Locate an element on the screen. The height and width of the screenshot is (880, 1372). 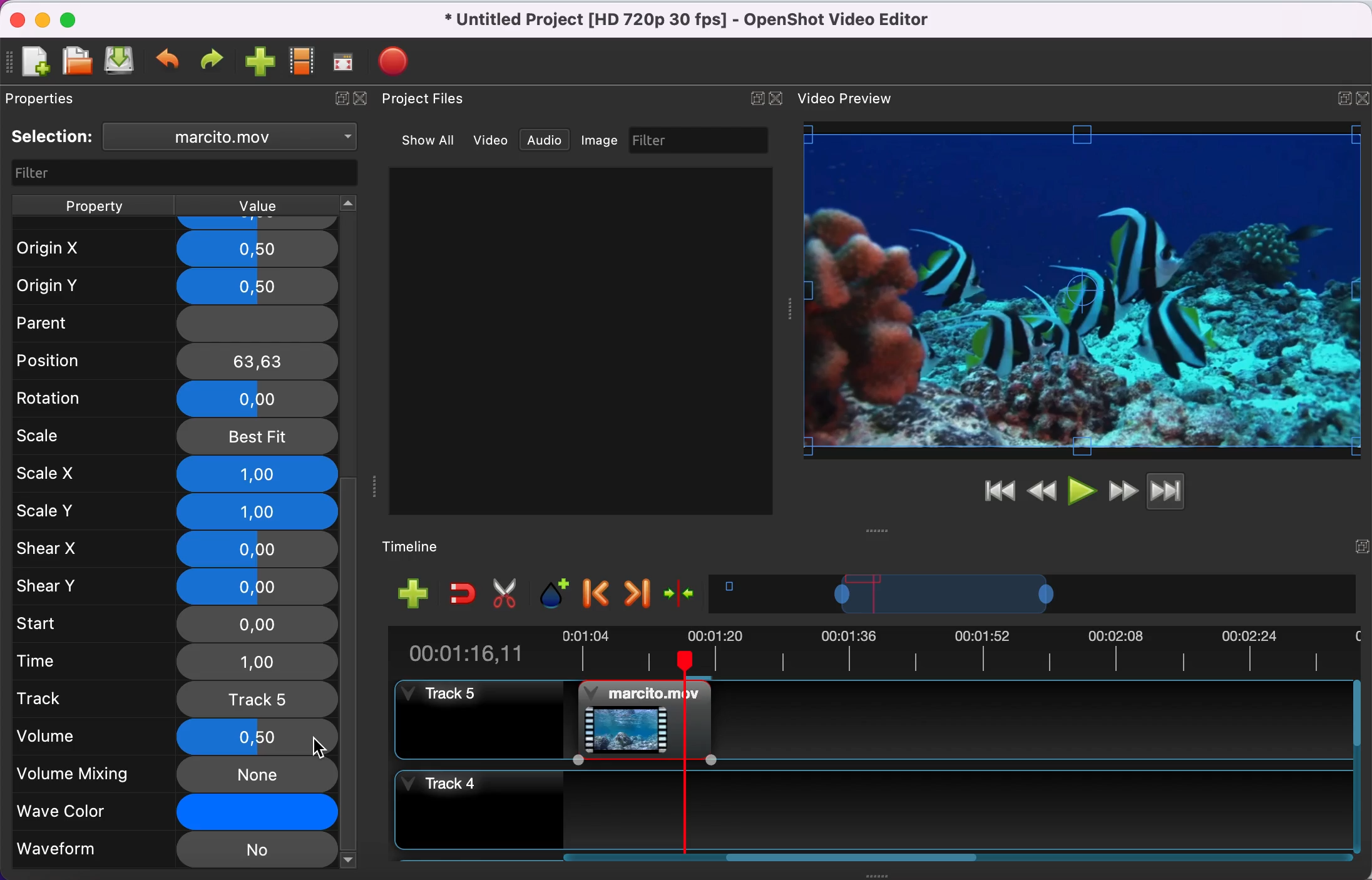
full screen is located at coordinates (347, 62).